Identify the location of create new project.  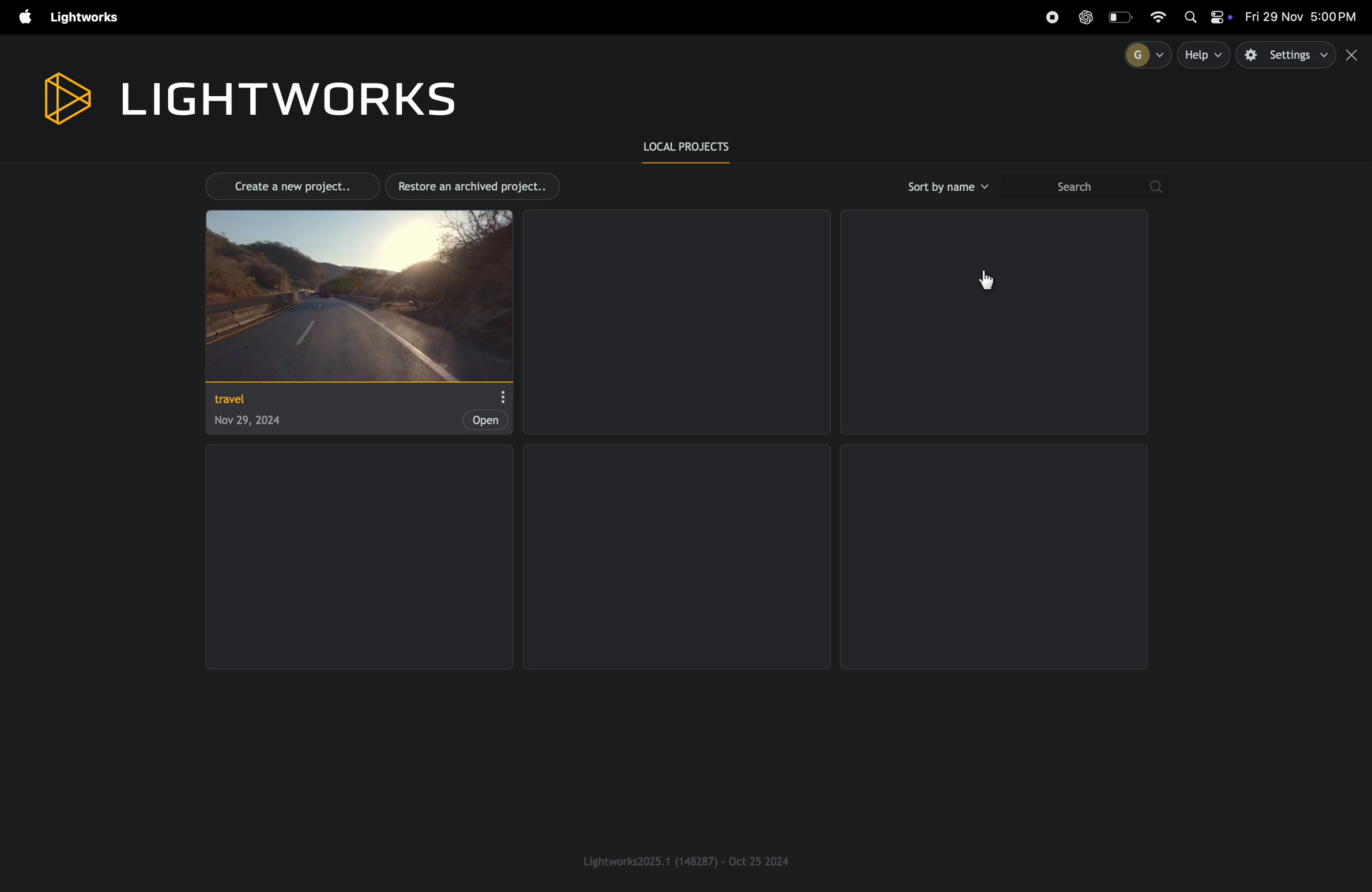
(286, 185).